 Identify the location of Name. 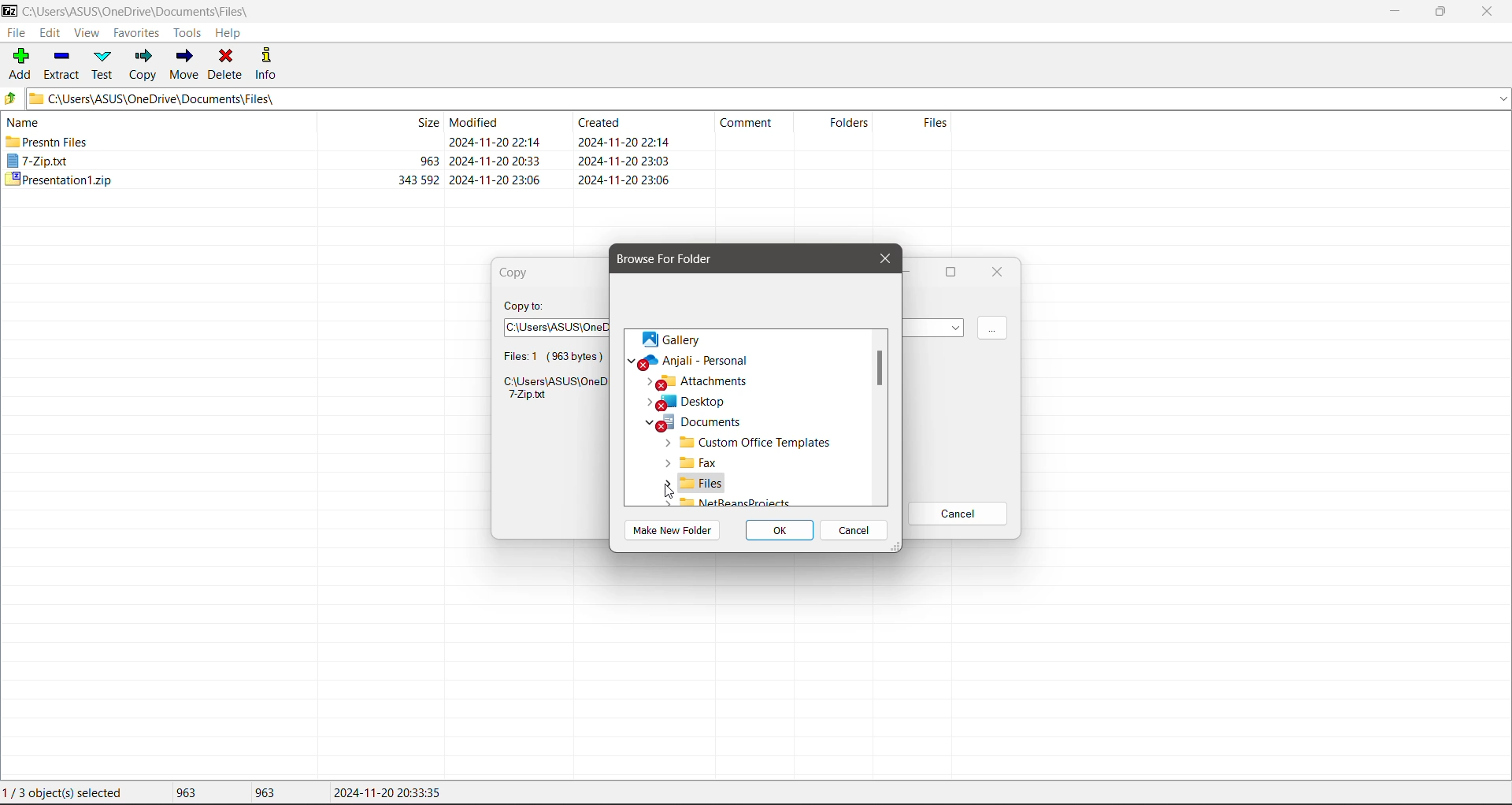
(27, 121).